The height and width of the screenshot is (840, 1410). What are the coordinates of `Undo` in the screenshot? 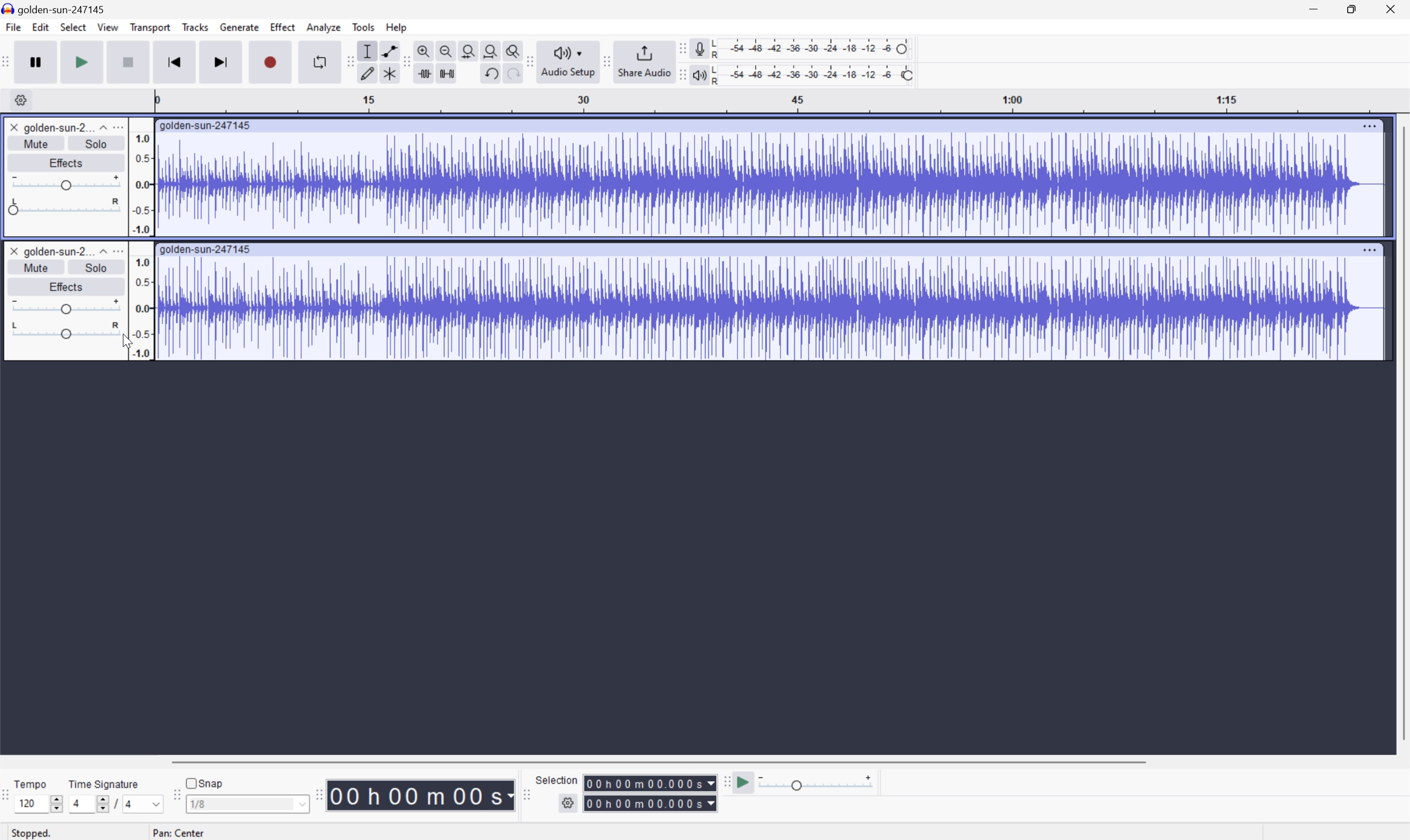 It's located at (494, 74).